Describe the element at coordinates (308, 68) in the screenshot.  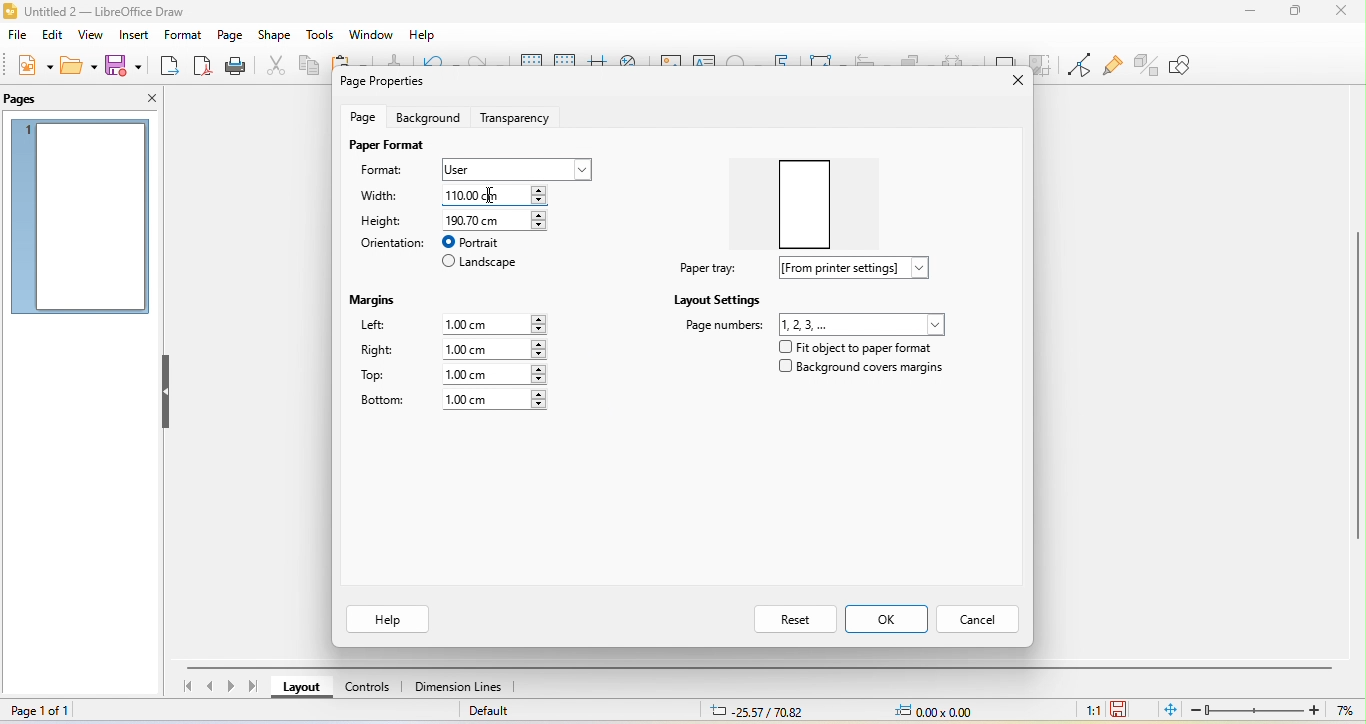
I see `copy` at that location.